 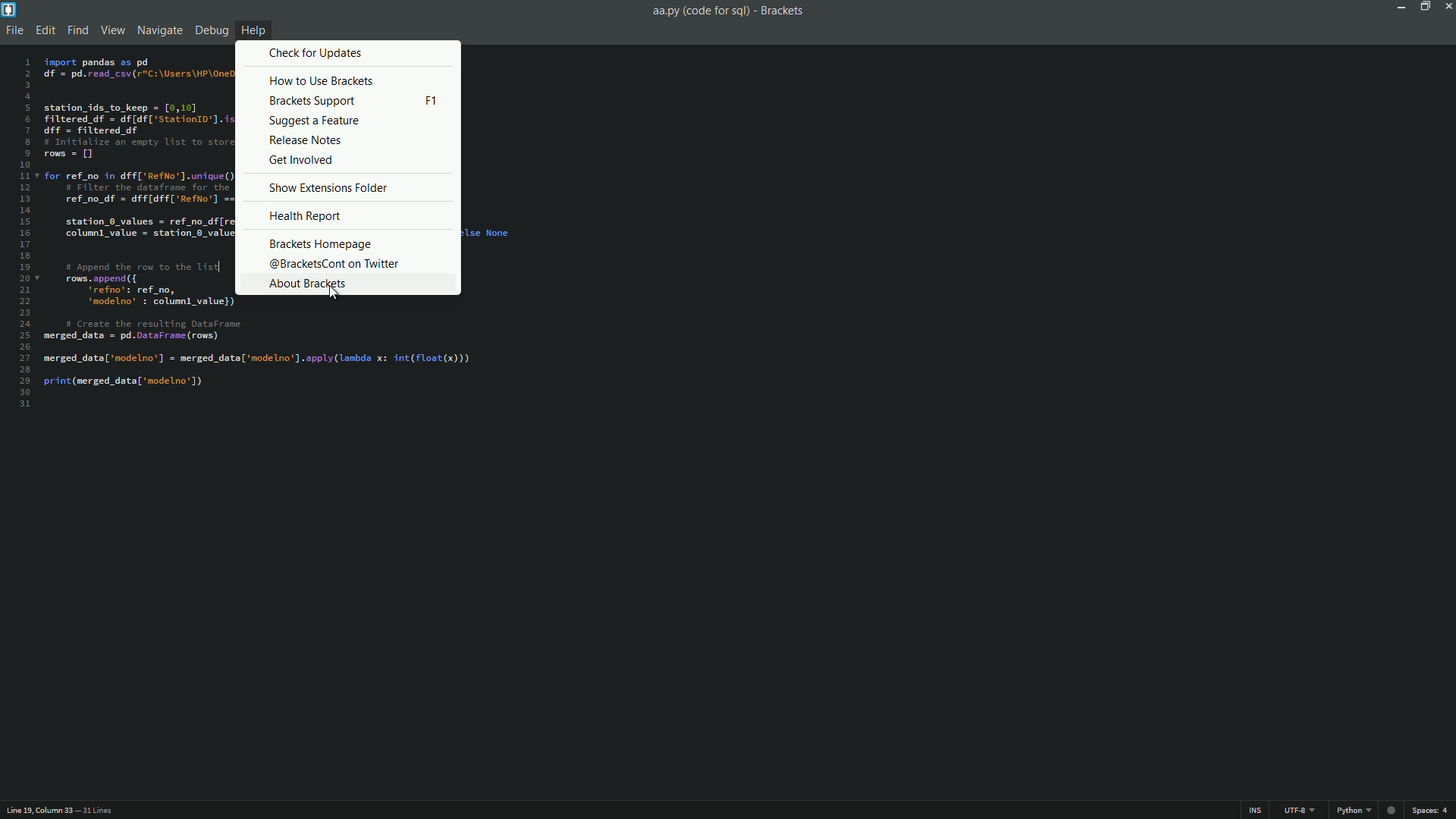 What do you see at coordinates (306, 215) in the screenshot?
I see `health report` at bounding box center [306, 215].